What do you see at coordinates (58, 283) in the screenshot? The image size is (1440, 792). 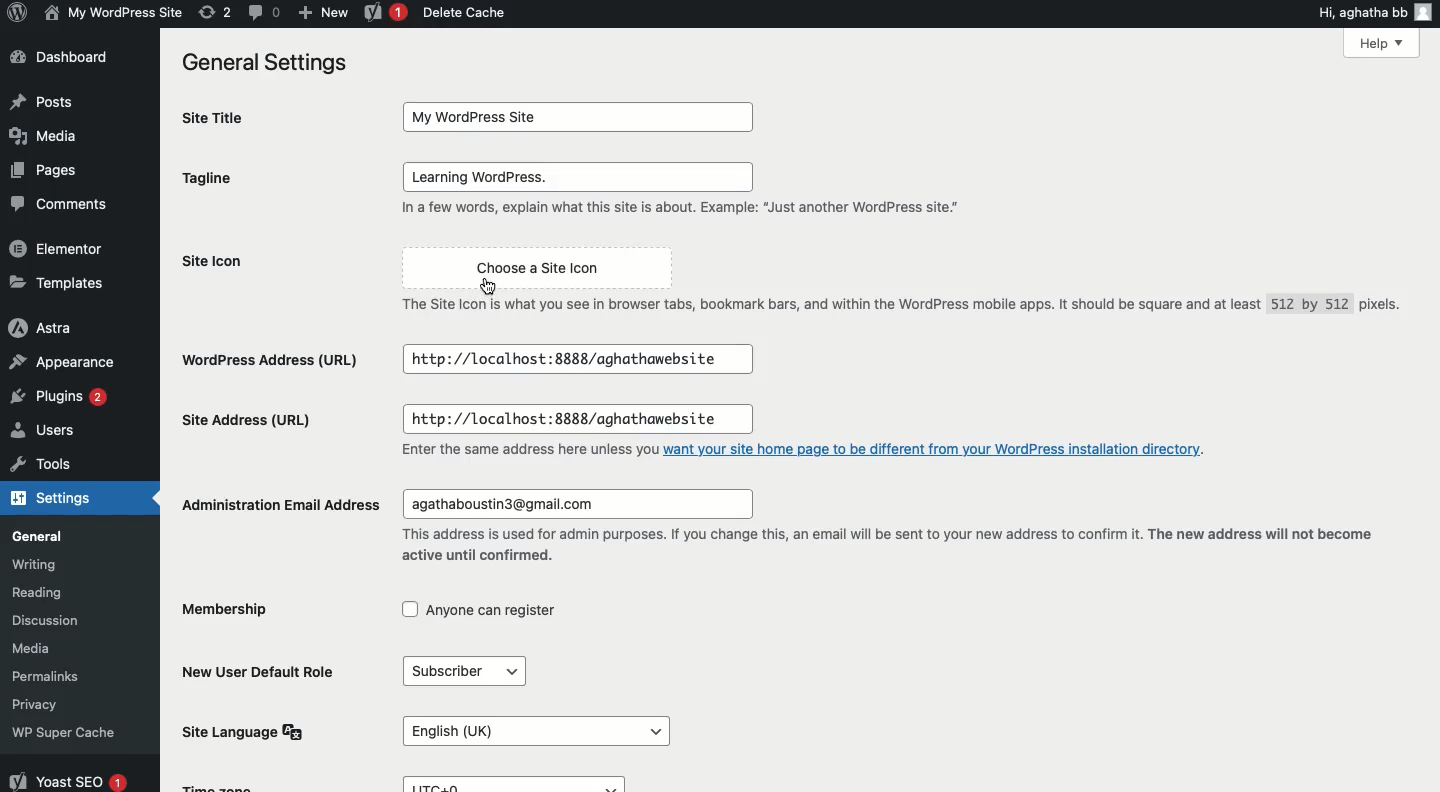 I see `Templates` at bounding box center [58, 283].